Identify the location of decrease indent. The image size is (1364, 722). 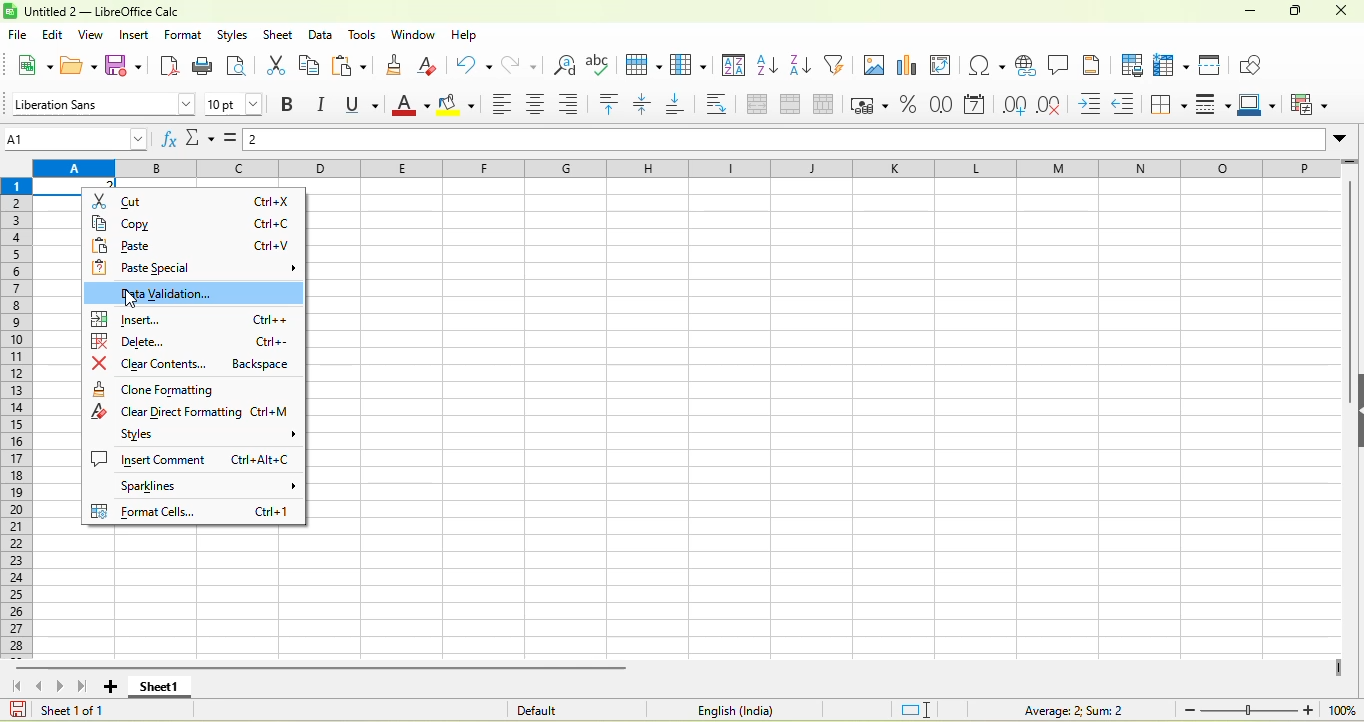
(1129, 106).